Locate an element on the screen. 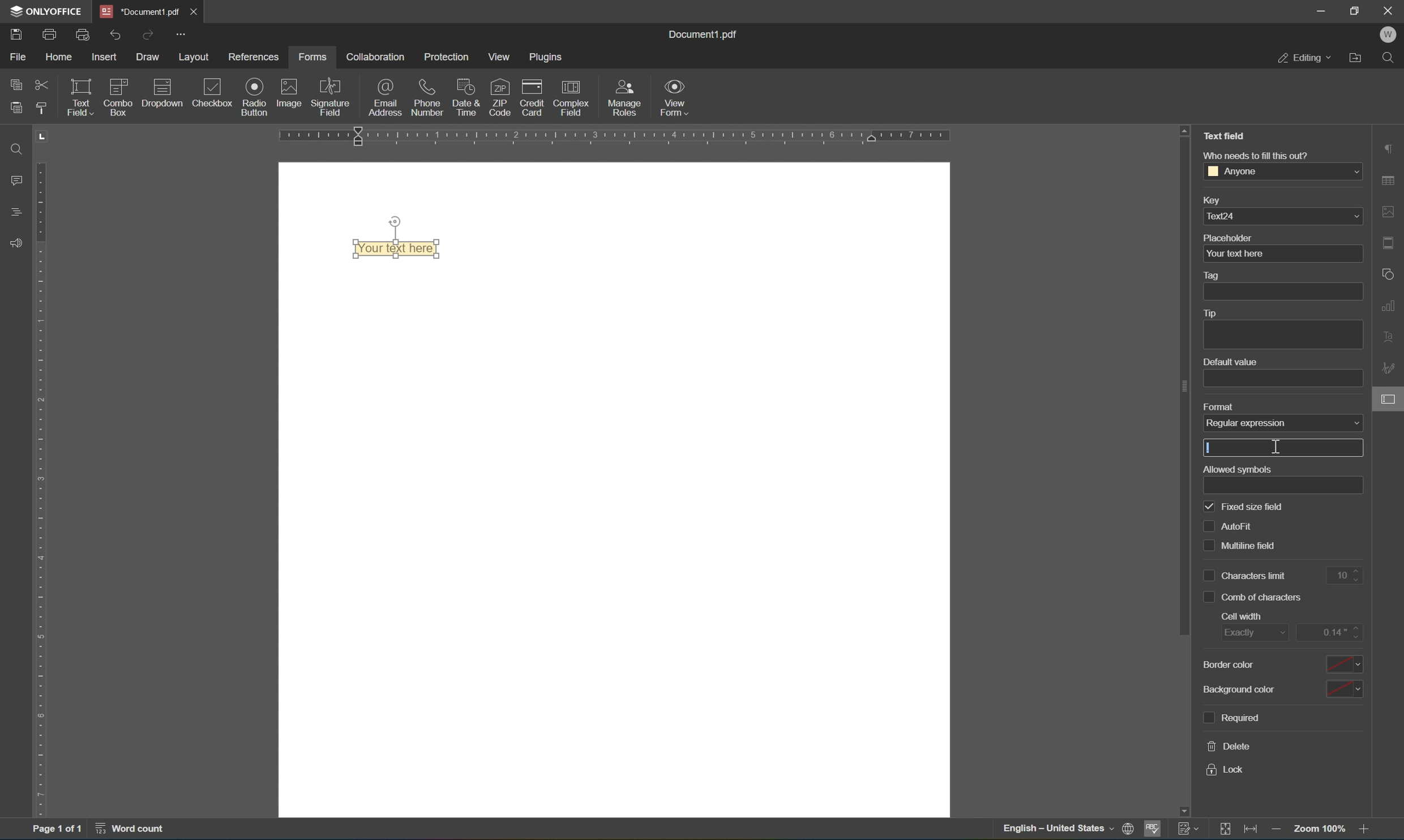  placeholder is located at coordinates (1228, 238).